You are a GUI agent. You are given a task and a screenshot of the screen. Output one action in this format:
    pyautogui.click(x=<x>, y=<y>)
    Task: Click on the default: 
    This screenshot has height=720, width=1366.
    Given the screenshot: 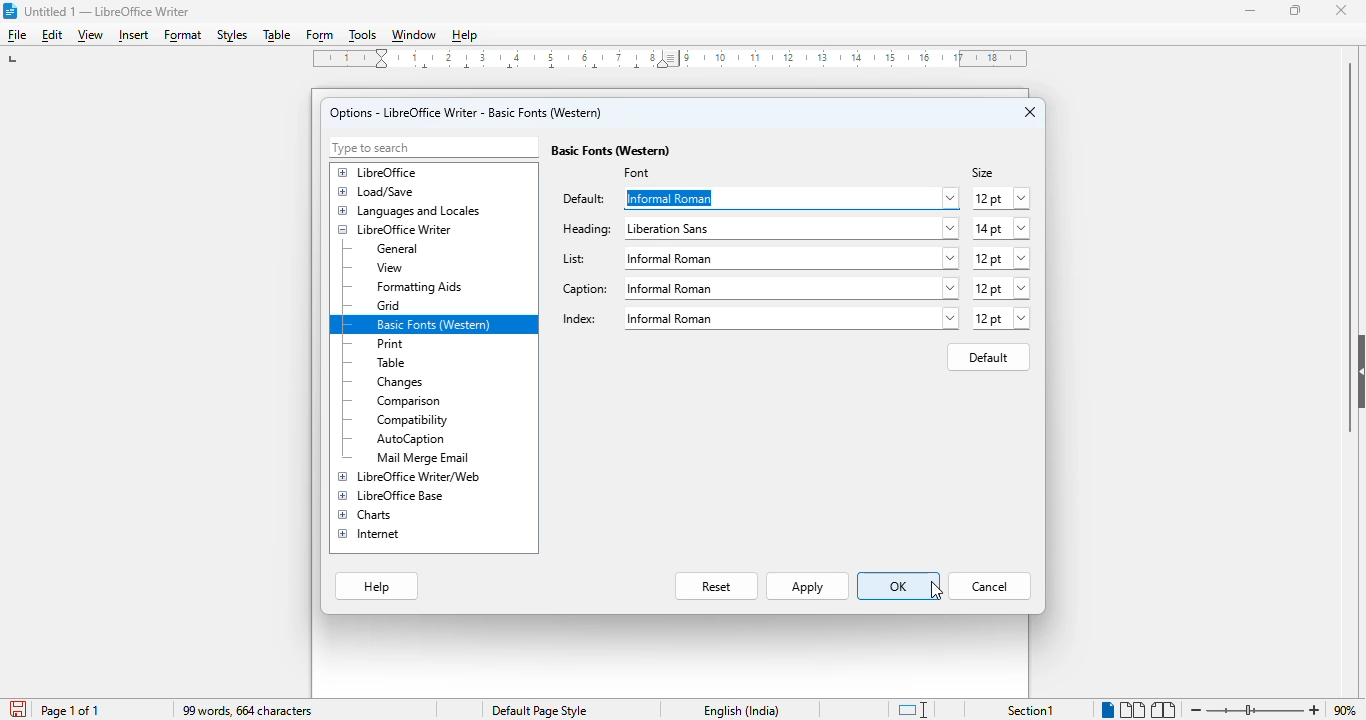 What is the action you would take?
    pyautogui.click(x=583, y=199)
    